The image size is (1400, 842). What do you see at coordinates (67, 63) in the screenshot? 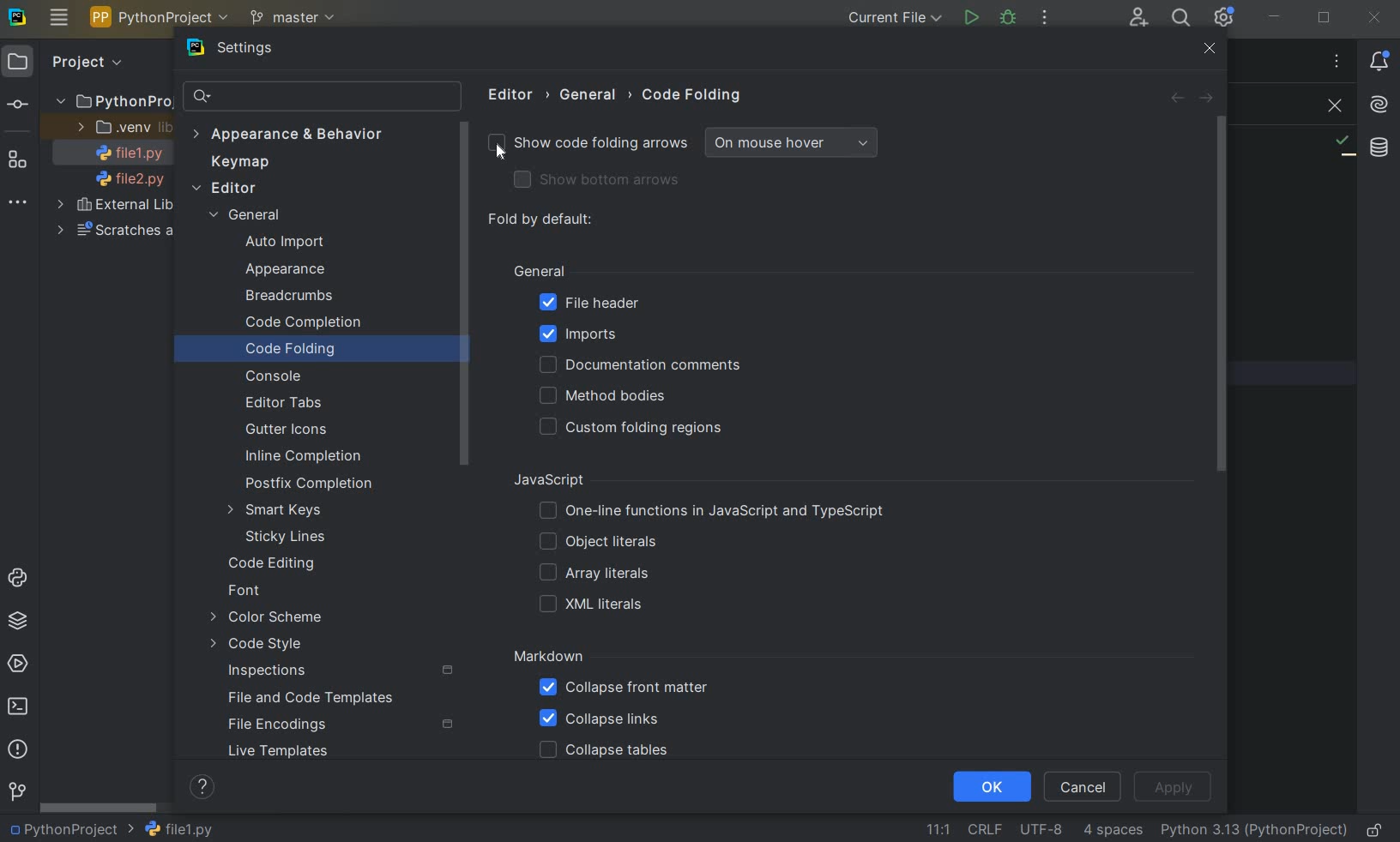
I see `PROJECT` at bounding box center [67, 63].